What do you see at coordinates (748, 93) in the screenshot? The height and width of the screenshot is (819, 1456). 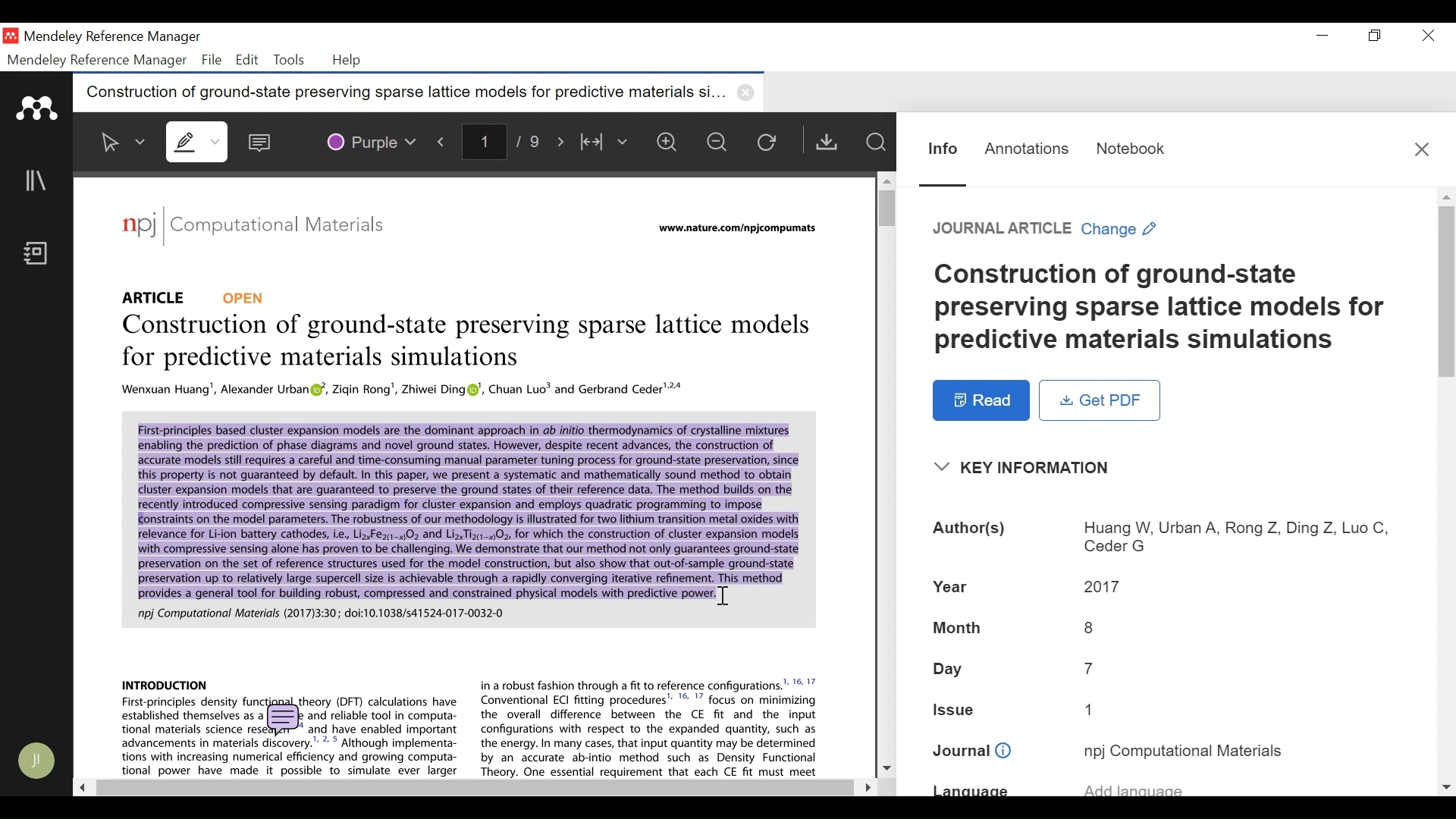 I see `close` at bounding box center [748, 93].